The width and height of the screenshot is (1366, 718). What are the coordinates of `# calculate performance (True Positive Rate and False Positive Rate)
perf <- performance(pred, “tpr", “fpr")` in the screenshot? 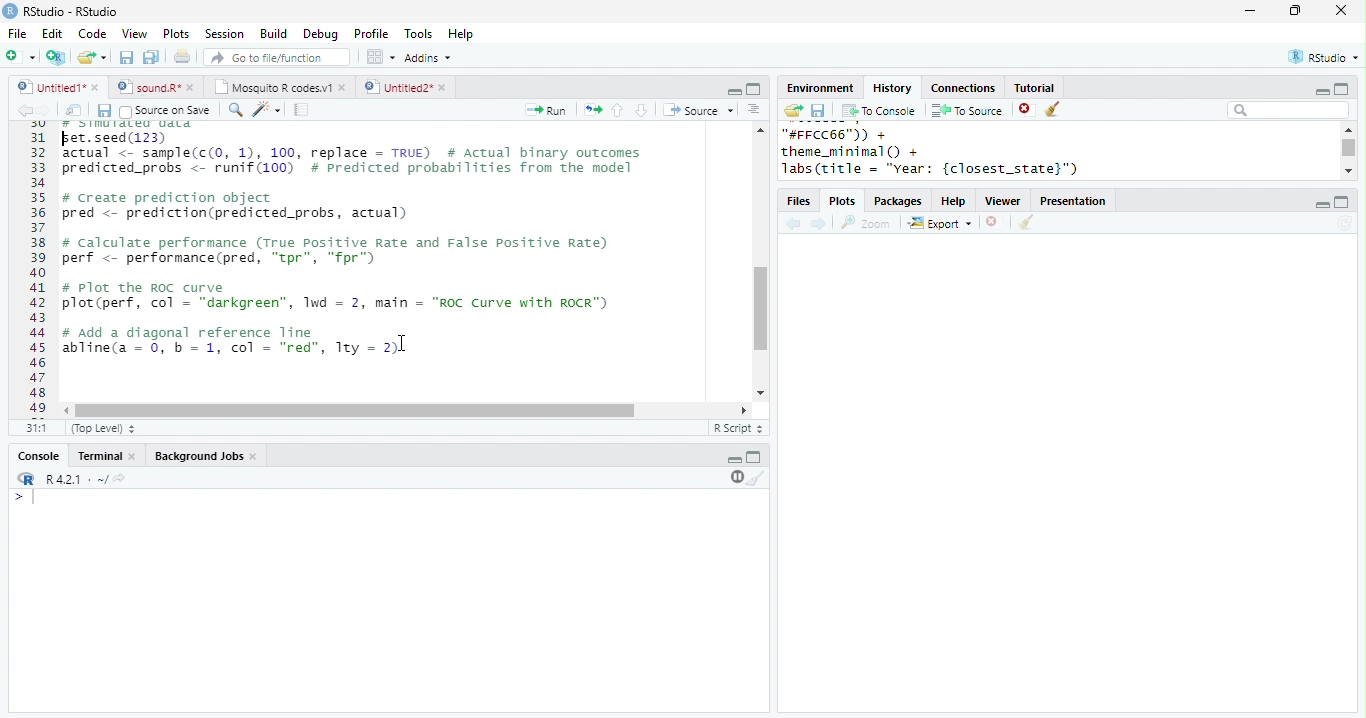 It's located at (334, 251).